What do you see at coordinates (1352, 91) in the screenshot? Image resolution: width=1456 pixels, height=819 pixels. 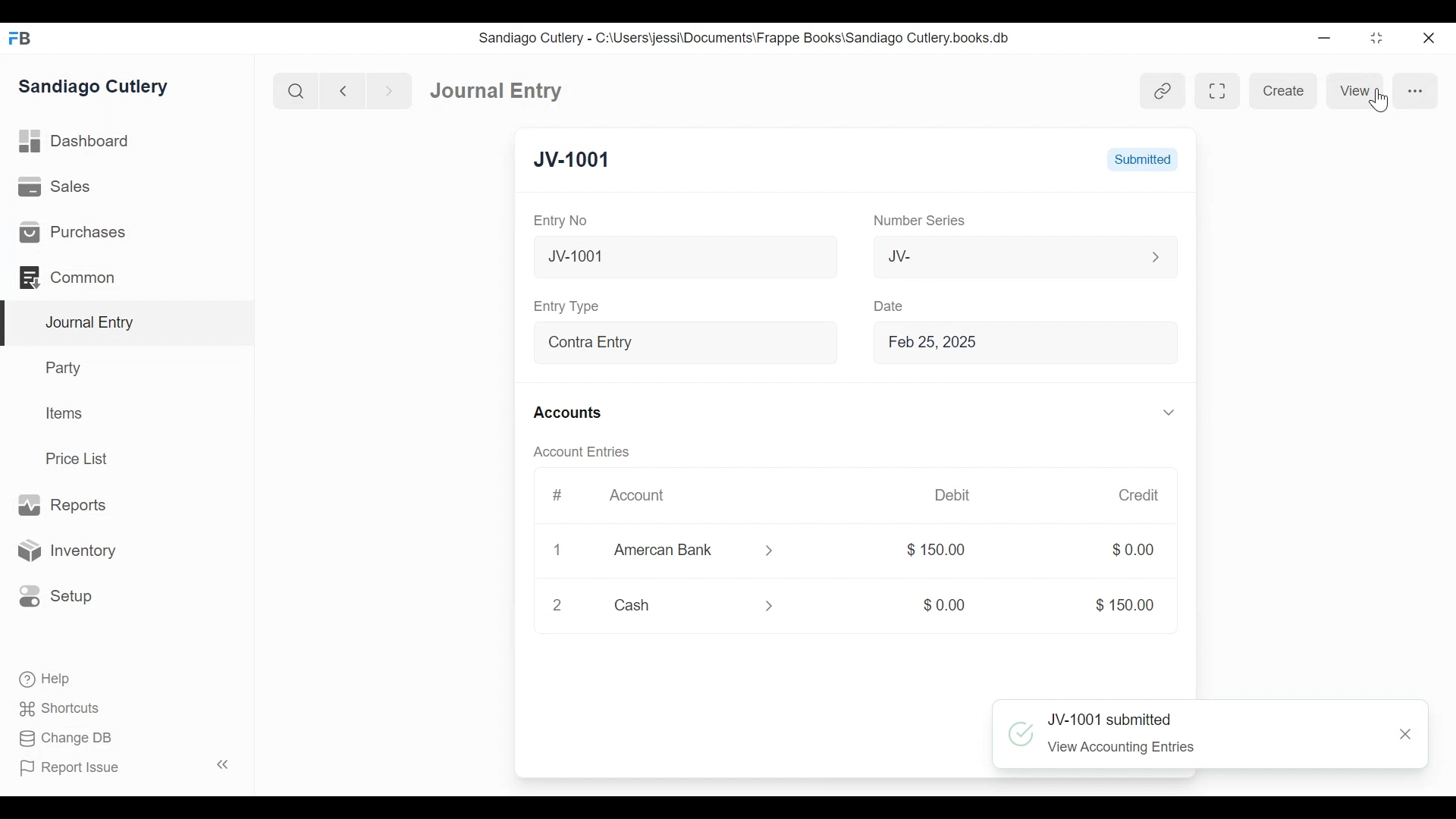 I see `View` at bounding box center [1352, 91].